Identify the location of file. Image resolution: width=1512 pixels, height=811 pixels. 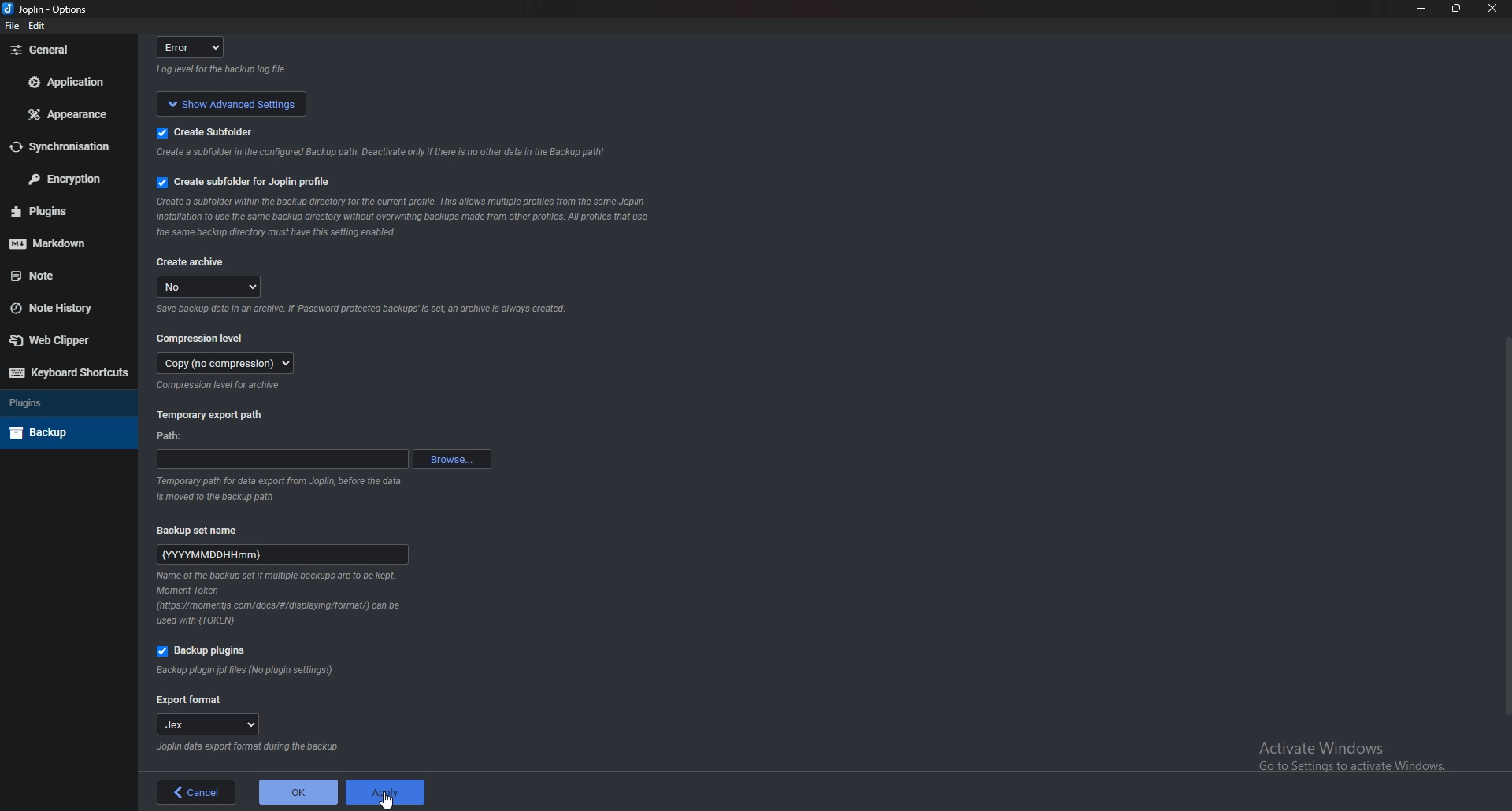
(13, 27).